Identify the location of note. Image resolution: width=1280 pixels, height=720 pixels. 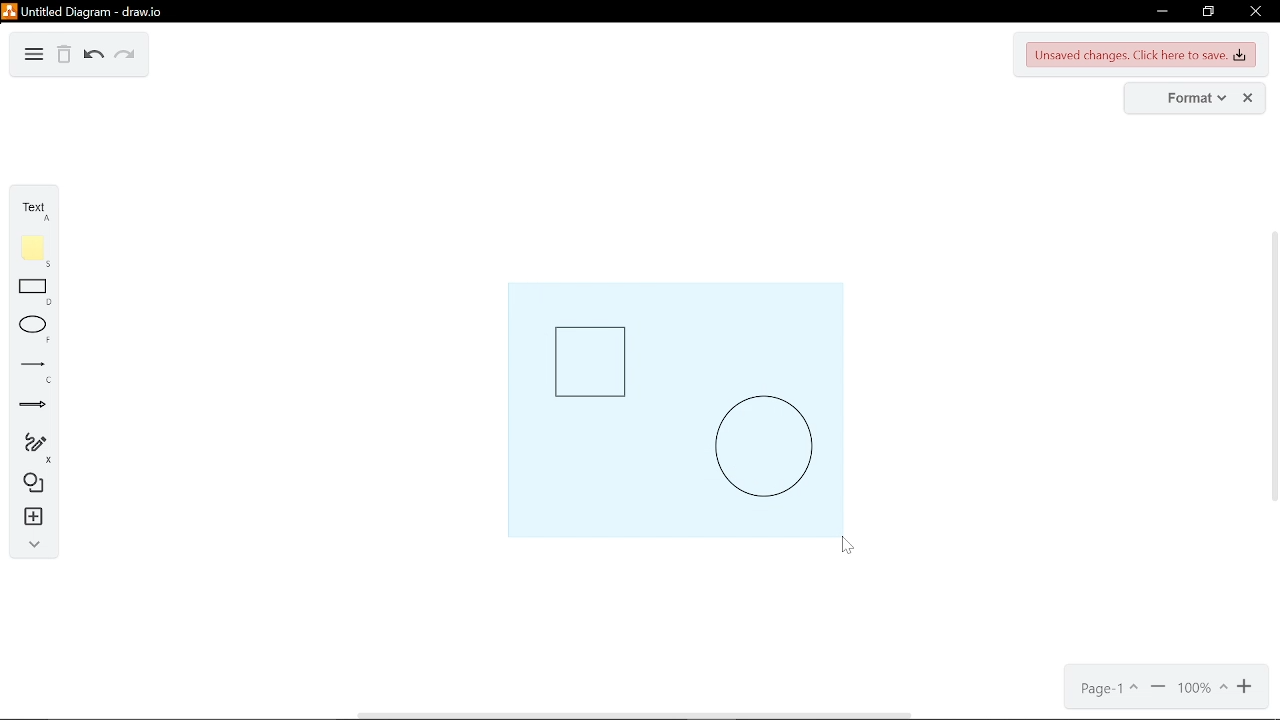
(31, 252).